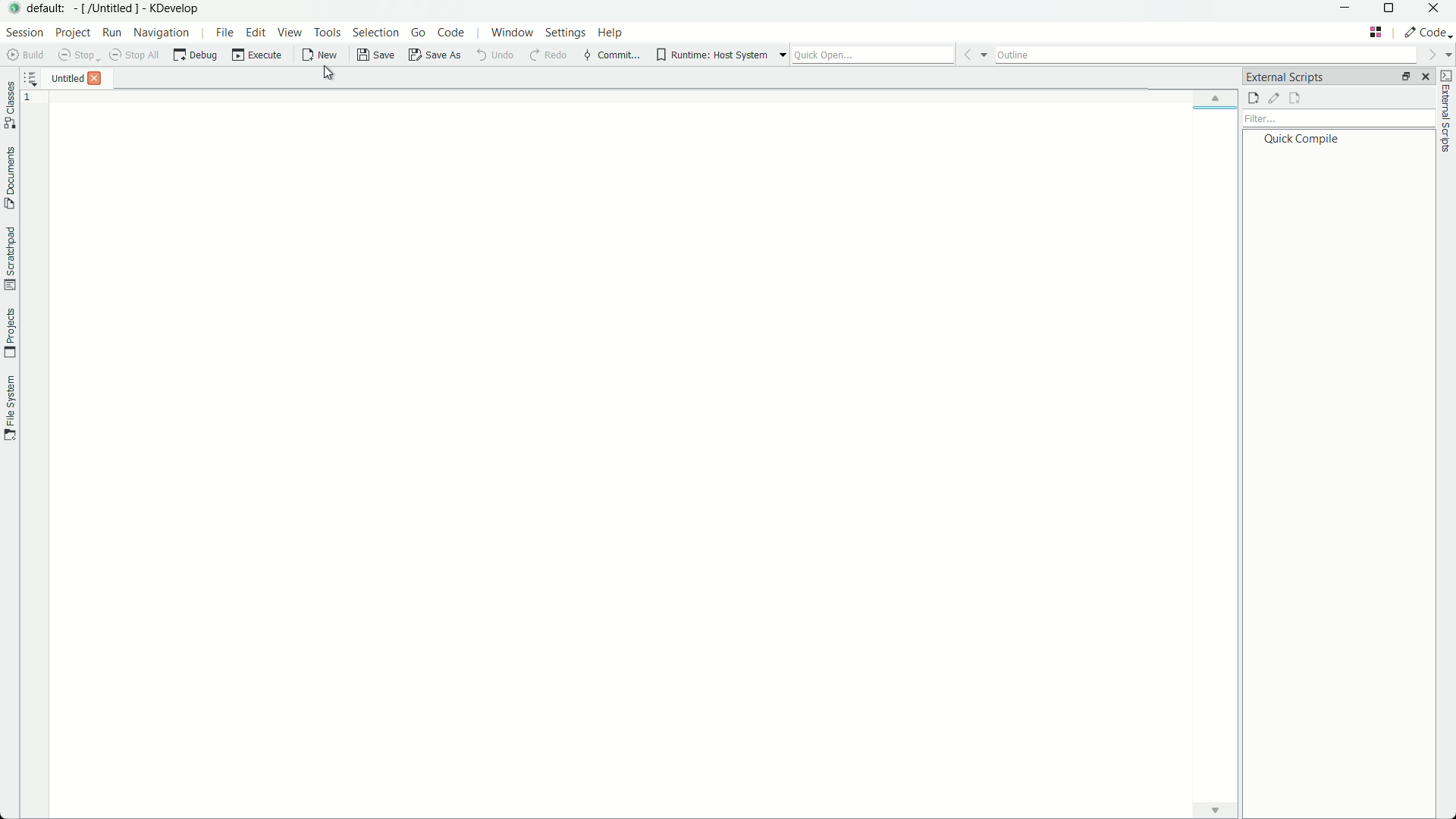 Image resolution: width=1456 pixels, height=819 pixels. Describe the element at coordinates (610, 33) in the screenshot. I see `help menu` at that location.